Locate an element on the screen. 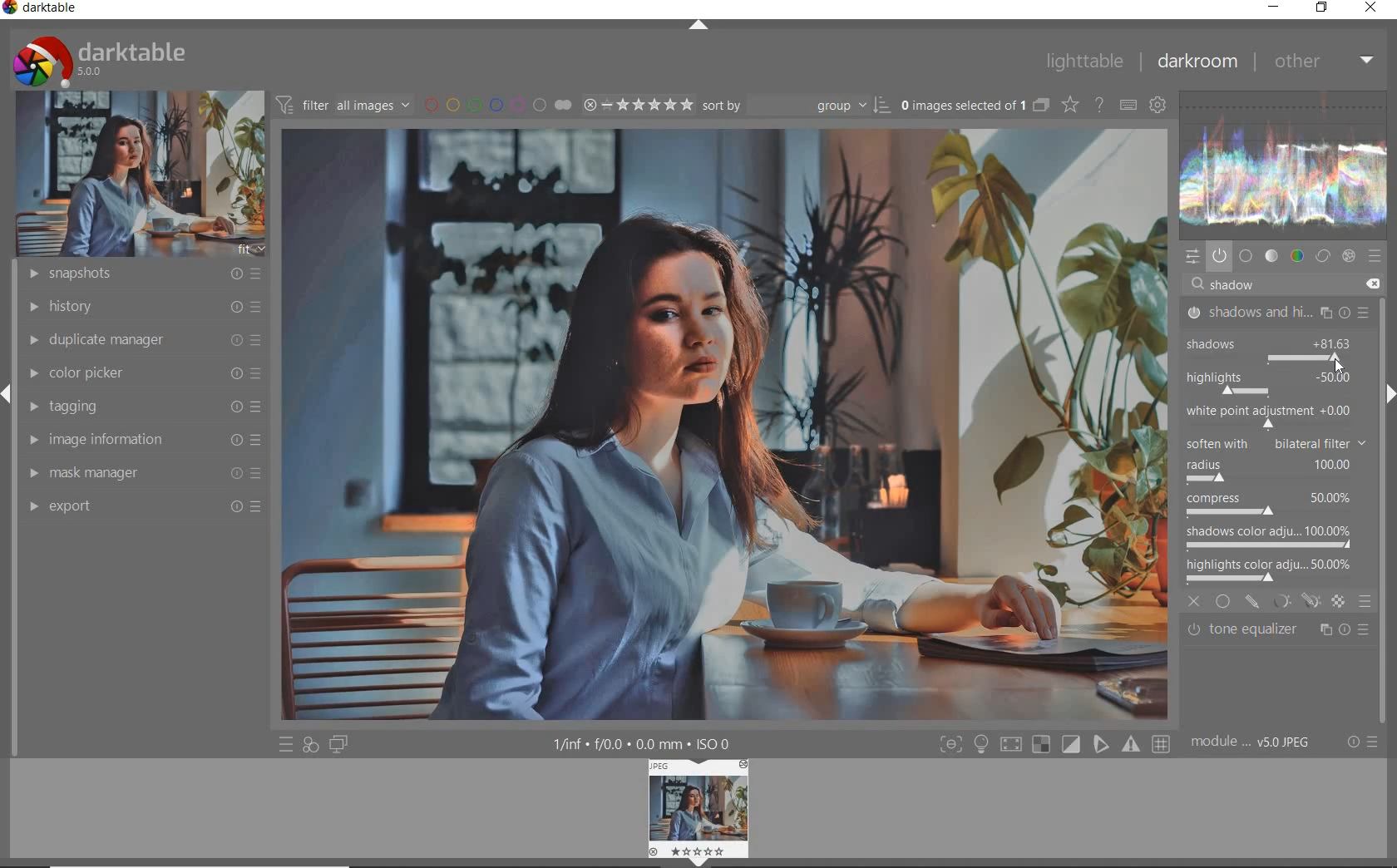 The image size is (1397, 868). image information is located at coordinates (143, 440).